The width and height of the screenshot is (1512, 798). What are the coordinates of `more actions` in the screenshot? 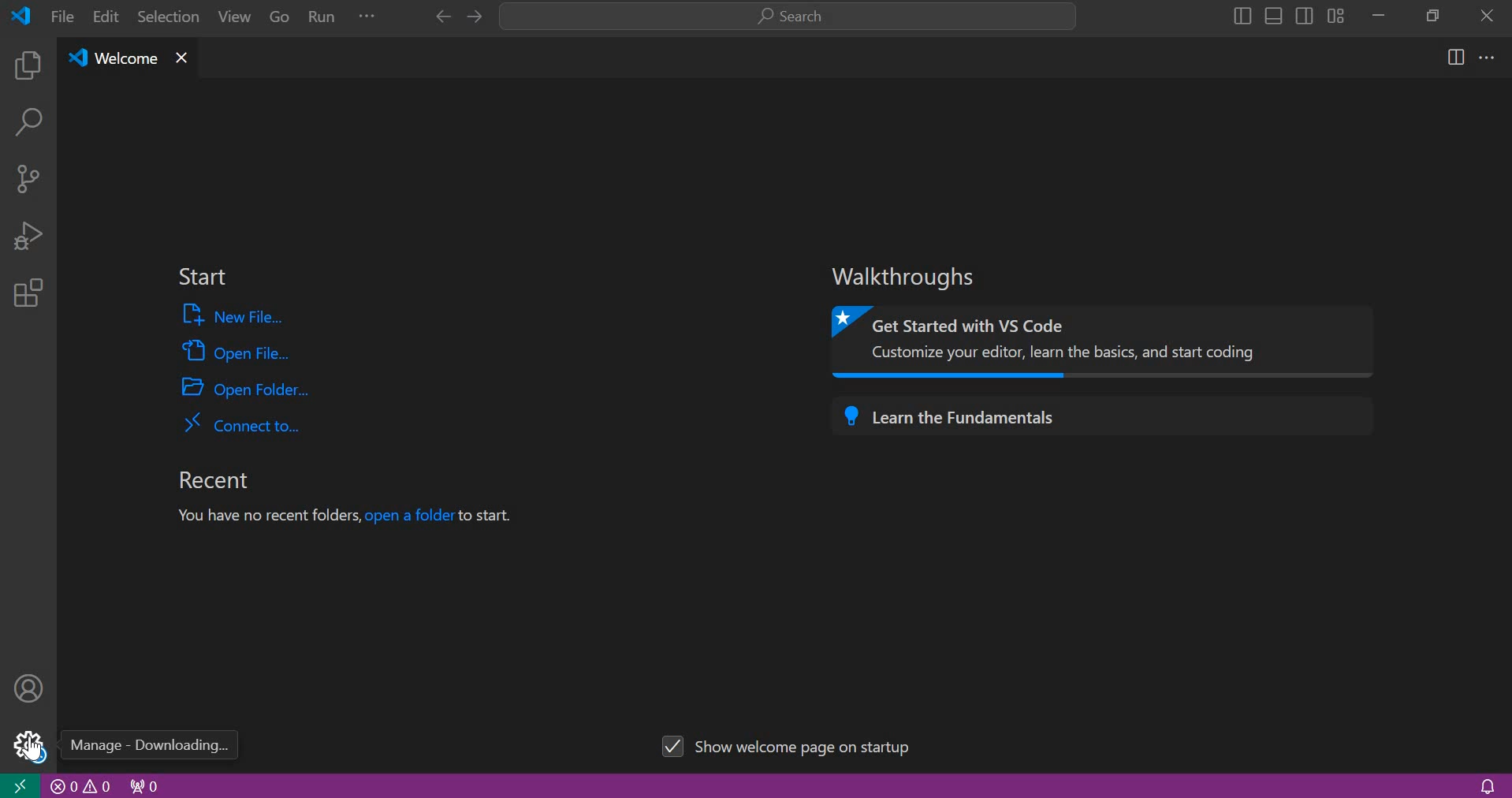 It's located at (1488, 56).